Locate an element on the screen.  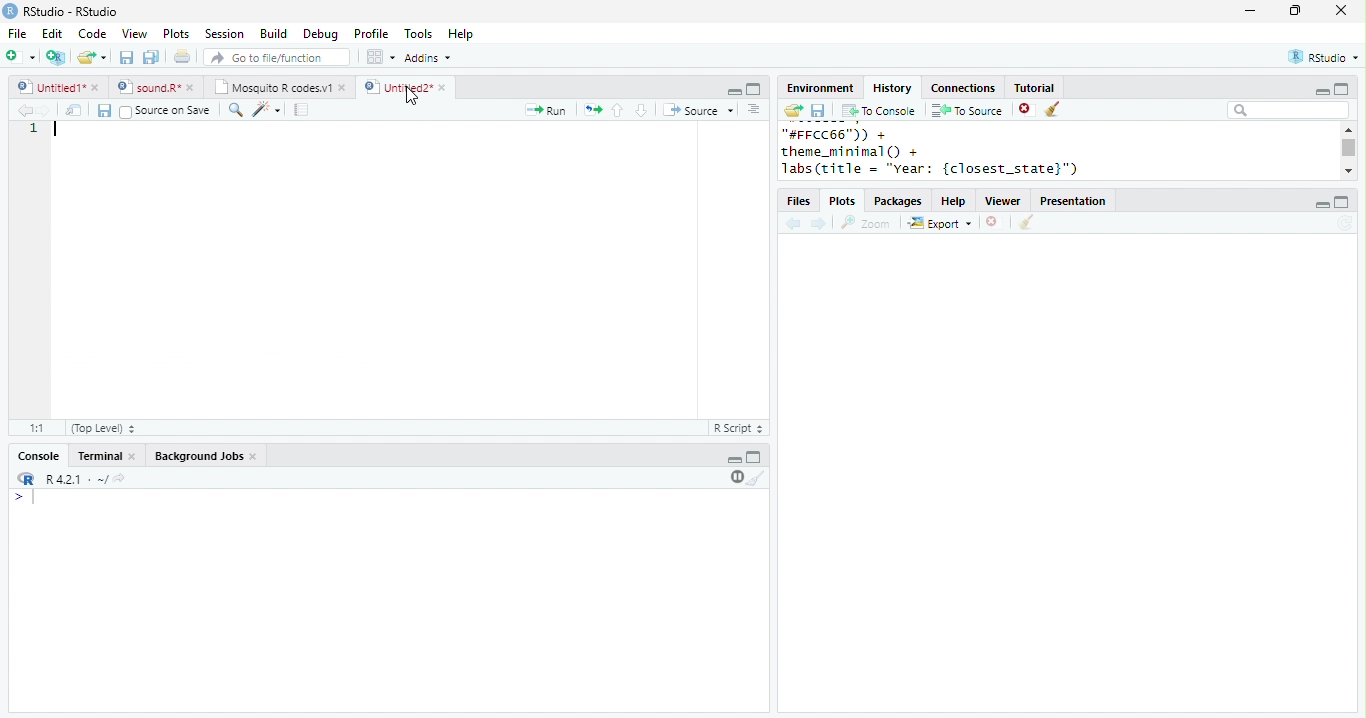
backward is located at coordinates (24, 110).